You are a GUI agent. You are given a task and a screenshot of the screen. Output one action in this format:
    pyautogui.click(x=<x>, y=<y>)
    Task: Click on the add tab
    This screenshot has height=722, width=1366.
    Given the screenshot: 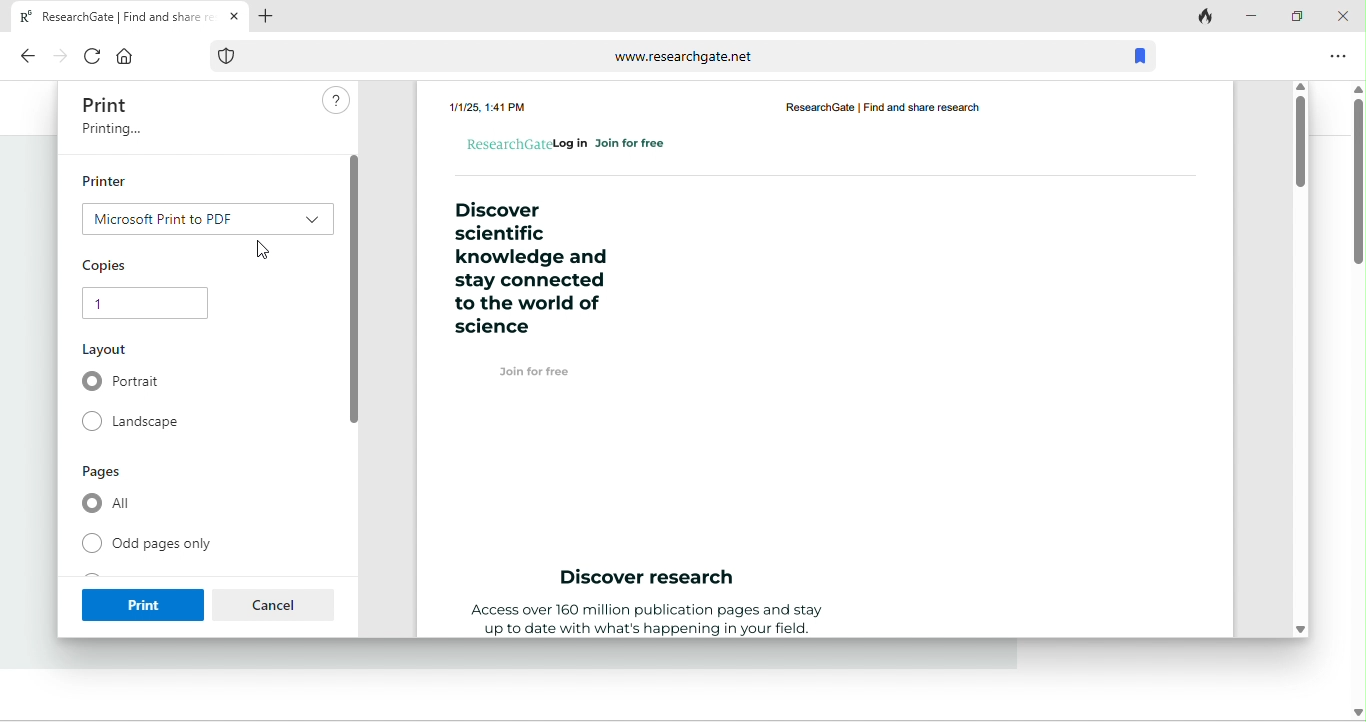 What is the action you would take?
    pyautogui.click(x=274, y=17)
    